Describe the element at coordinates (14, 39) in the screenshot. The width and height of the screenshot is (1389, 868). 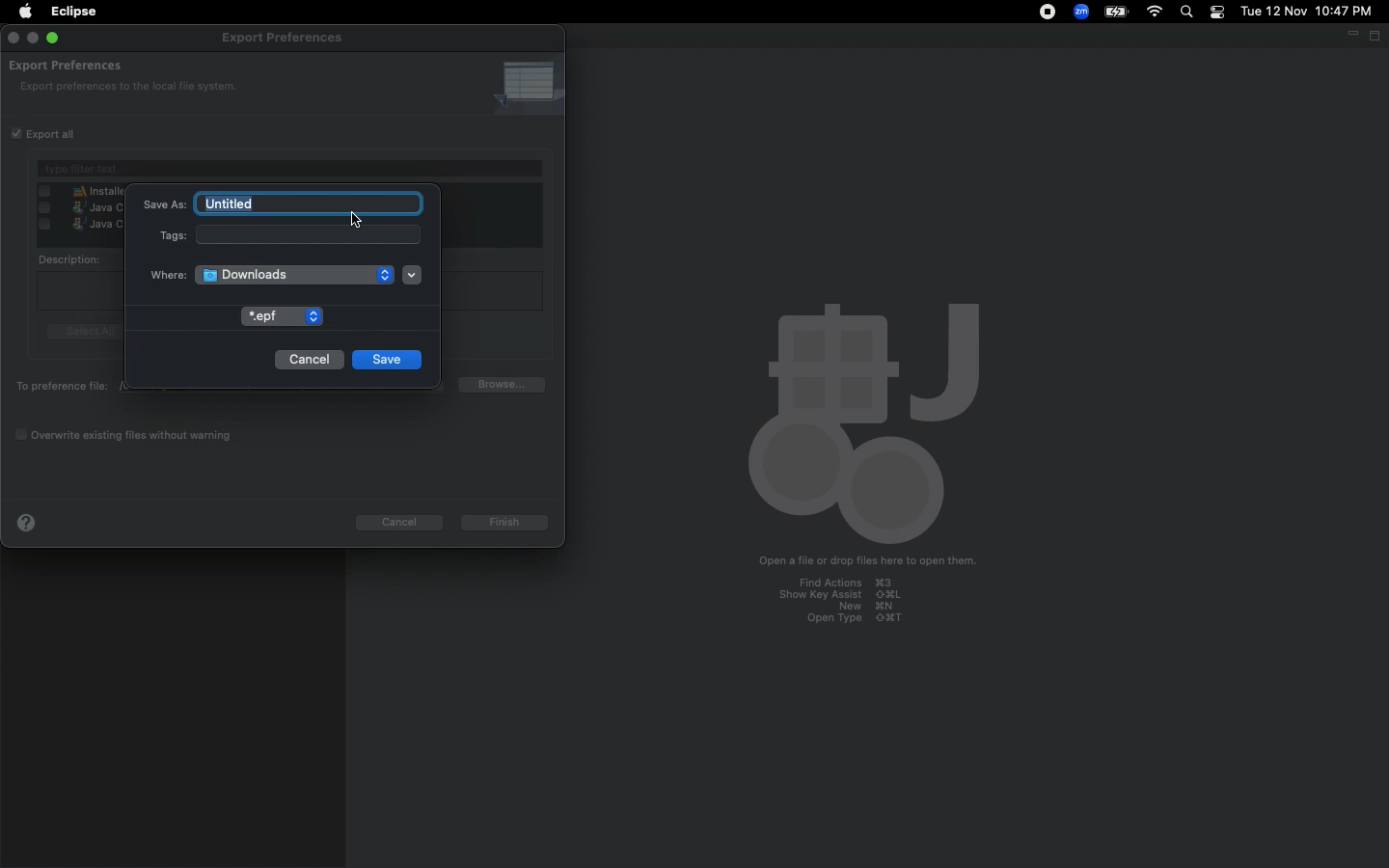
I see `Close` at that location.